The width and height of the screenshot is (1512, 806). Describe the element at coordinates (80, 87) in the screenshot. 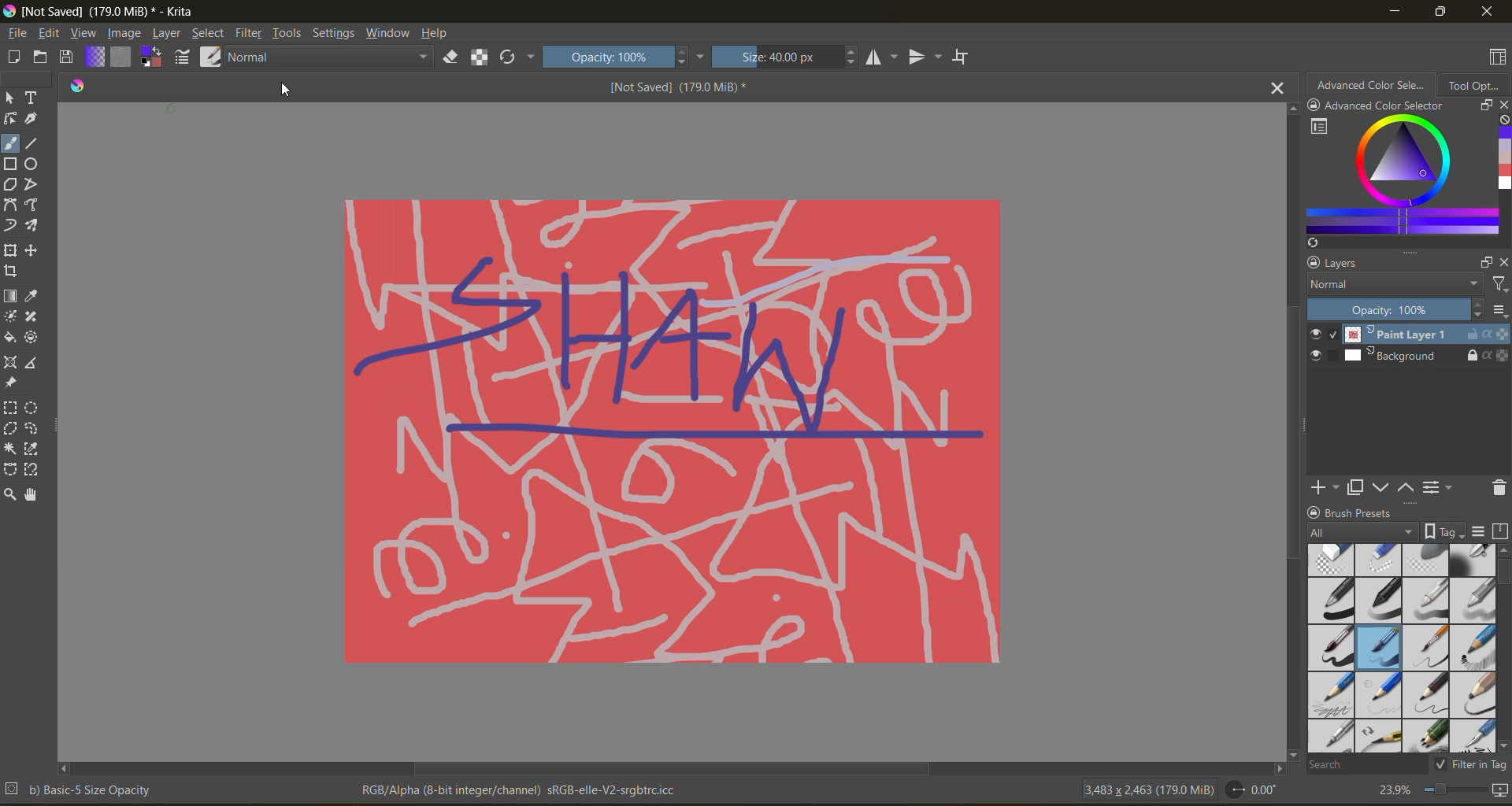

I see `logo` at that location.